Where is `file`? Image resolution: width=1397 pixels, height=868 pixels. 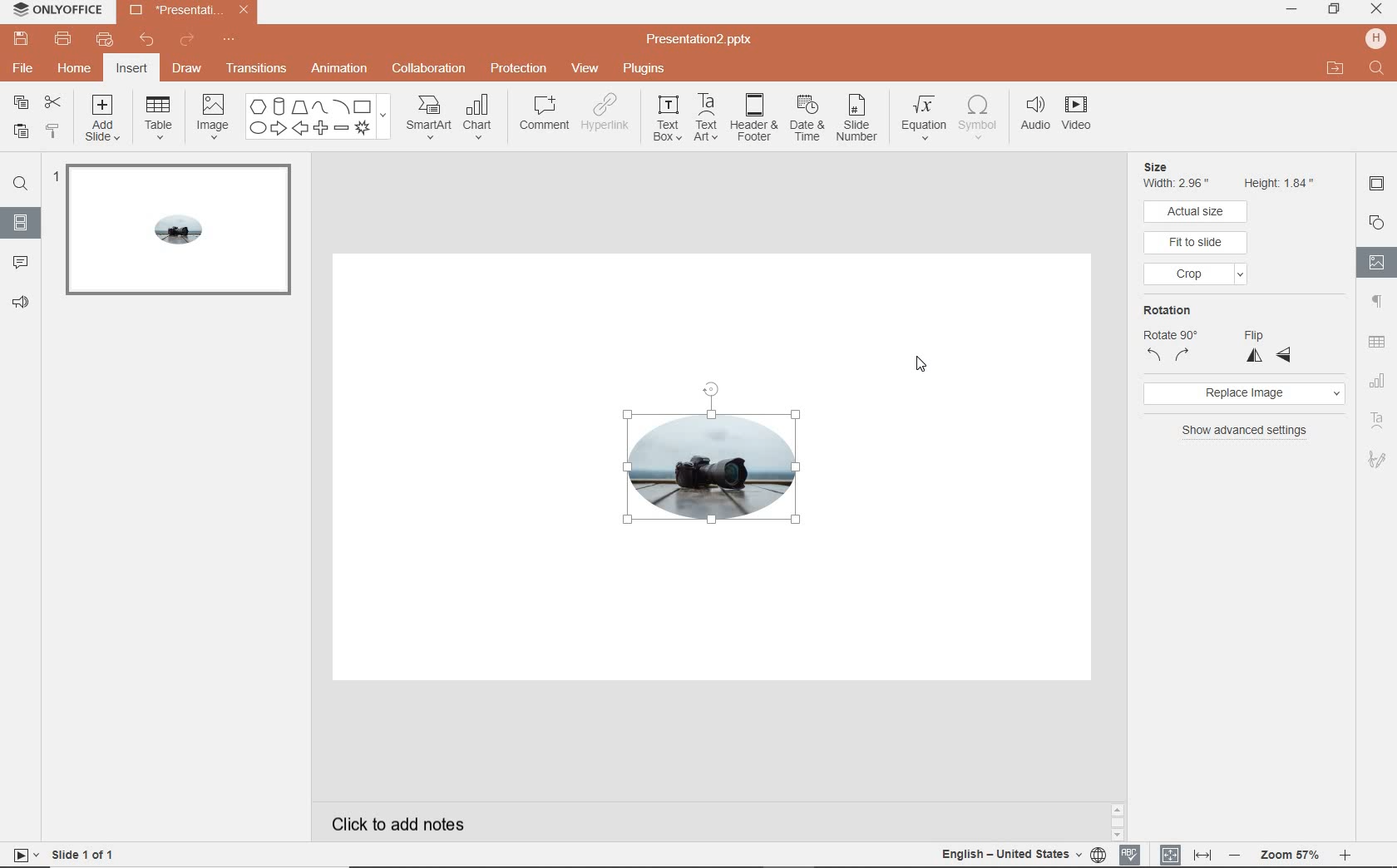 file is located at coordinates (24, 70).